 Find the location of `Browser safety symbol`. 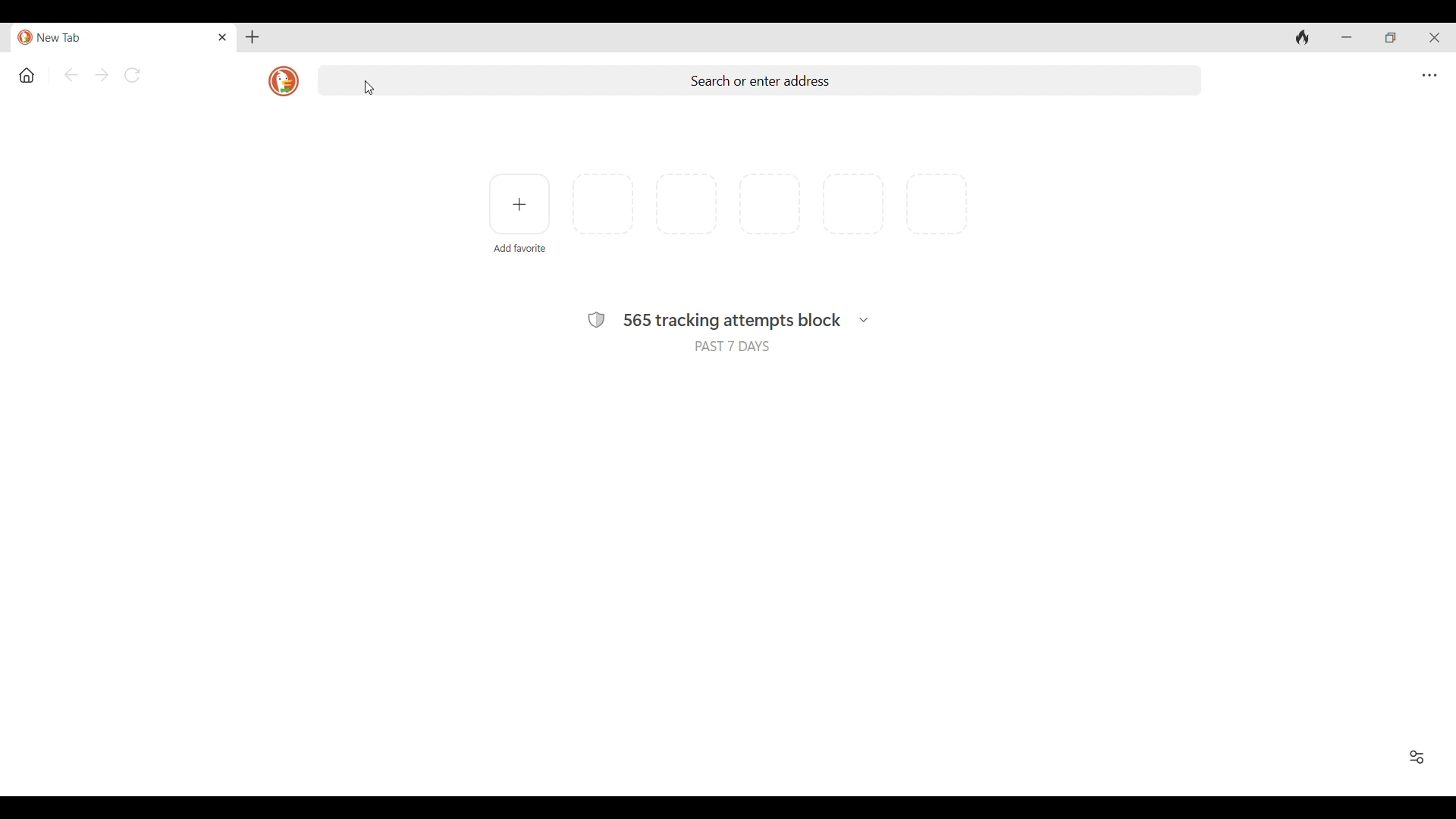

Browser safety symbol is located at coordinates (596, 319).